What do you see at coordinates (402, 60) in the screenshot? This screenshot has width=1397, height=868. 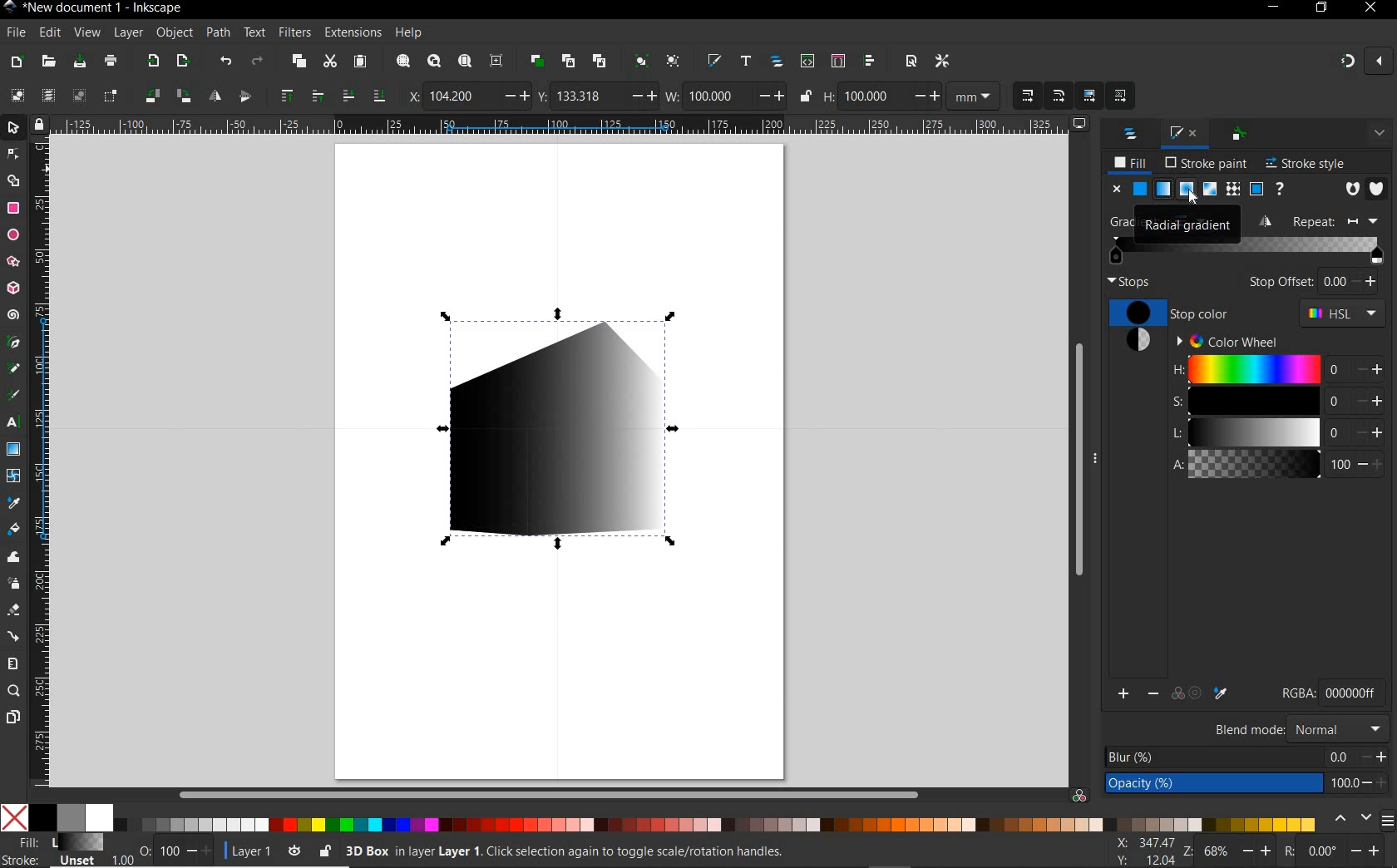 I see `ZOOM SELECTION` at bounding box center [402, 60].